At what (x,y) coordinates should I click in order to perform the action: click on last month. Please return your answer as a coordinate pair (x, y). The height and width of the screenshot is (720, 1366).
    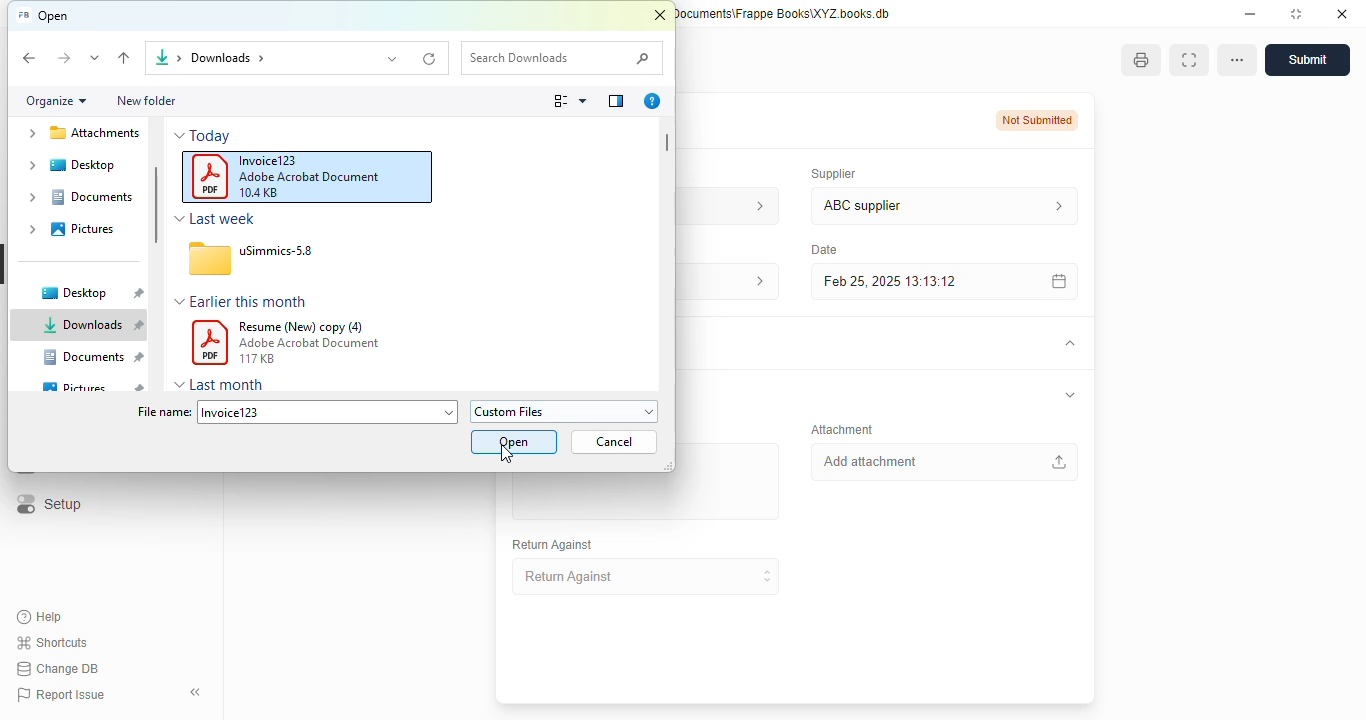
    Looking at the image, I should click on (228, 384).